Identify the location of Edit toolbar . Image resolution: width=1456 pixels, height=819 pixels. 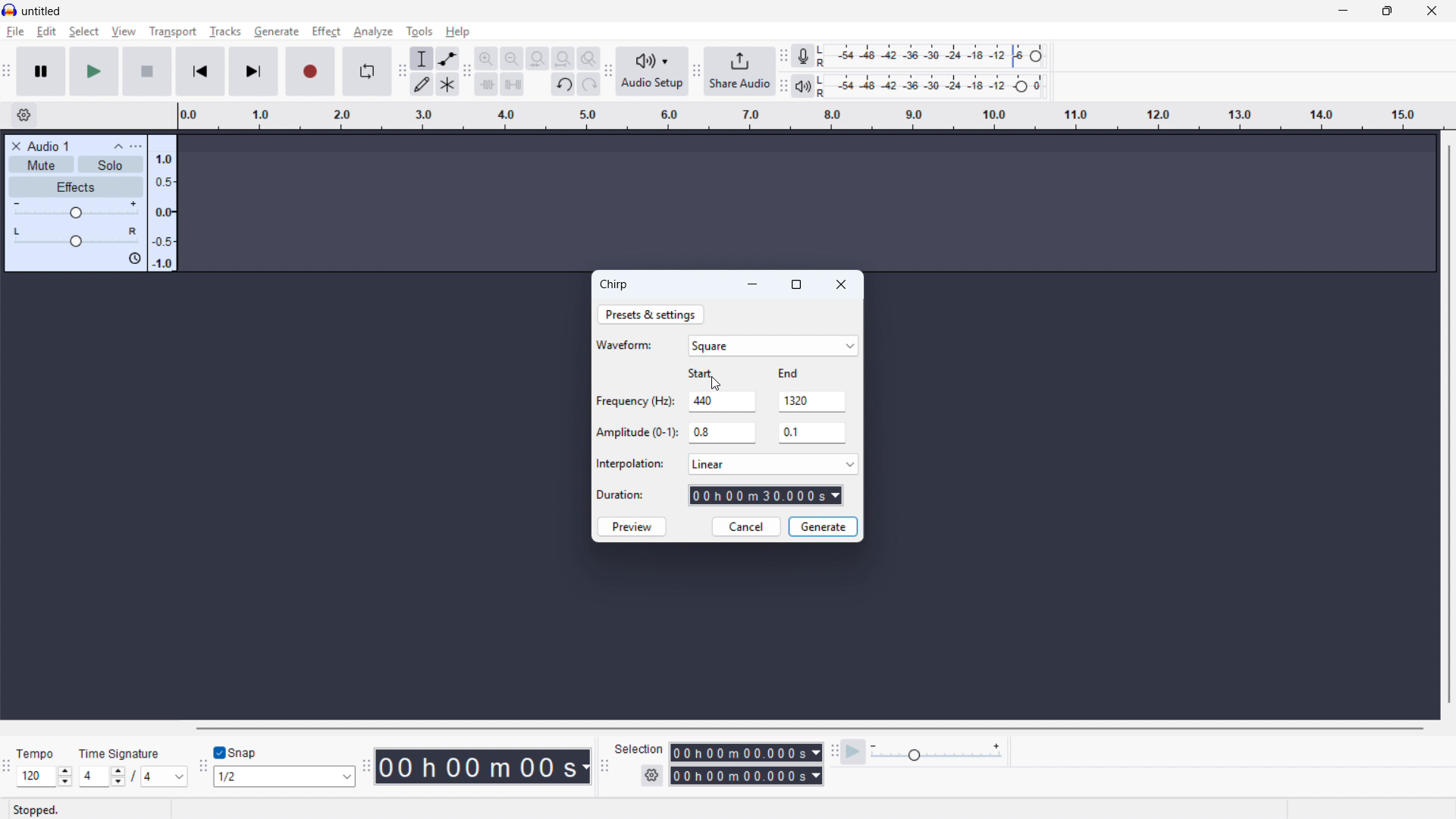
(467, 73).